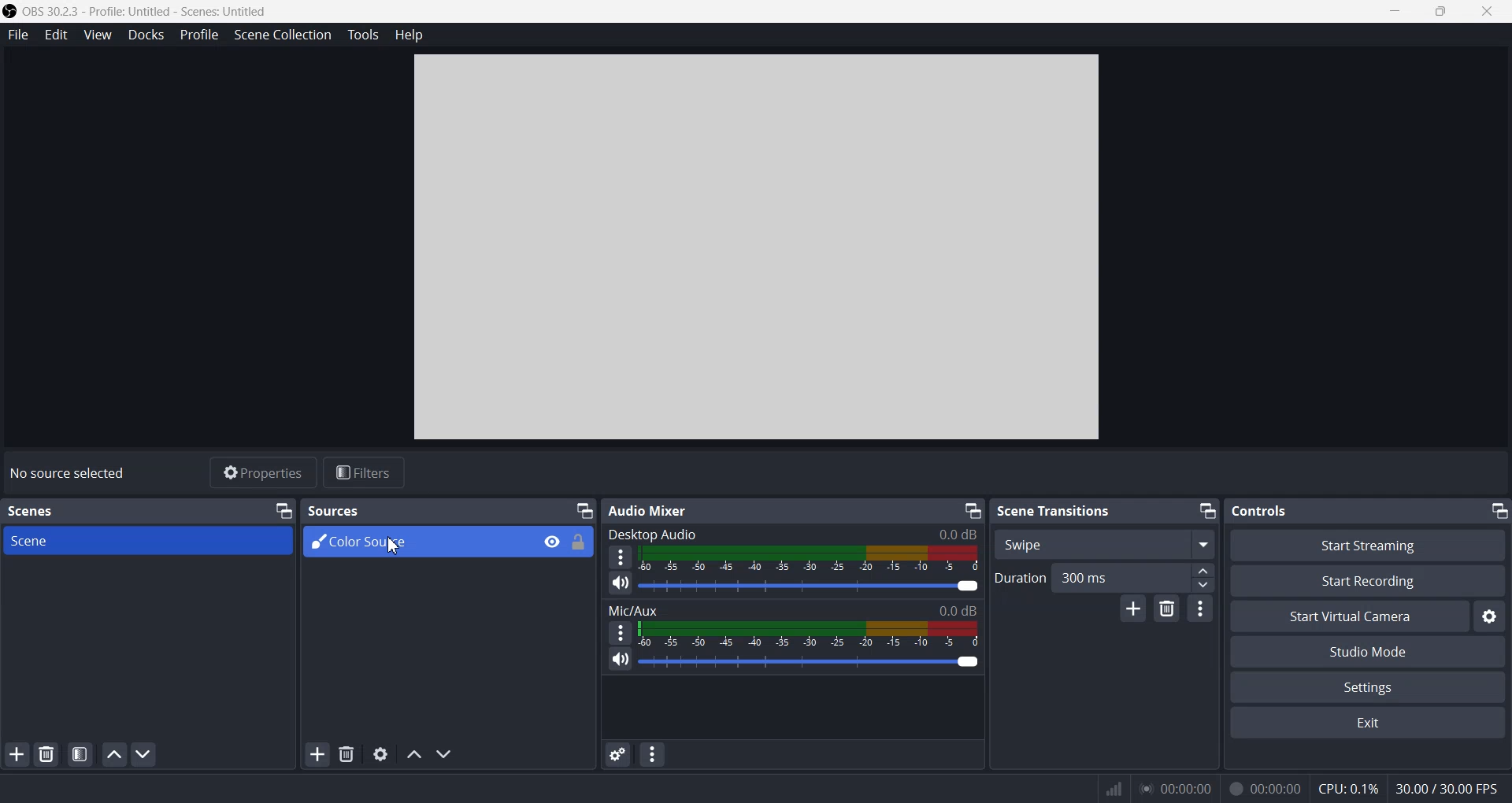 Image resolution: width=1512 pixels, height=803 pixels. What do you see at coordinates (617, 754) in the screenshot?
I see `Advance Audio Properties` at bounding box center [617, 754].